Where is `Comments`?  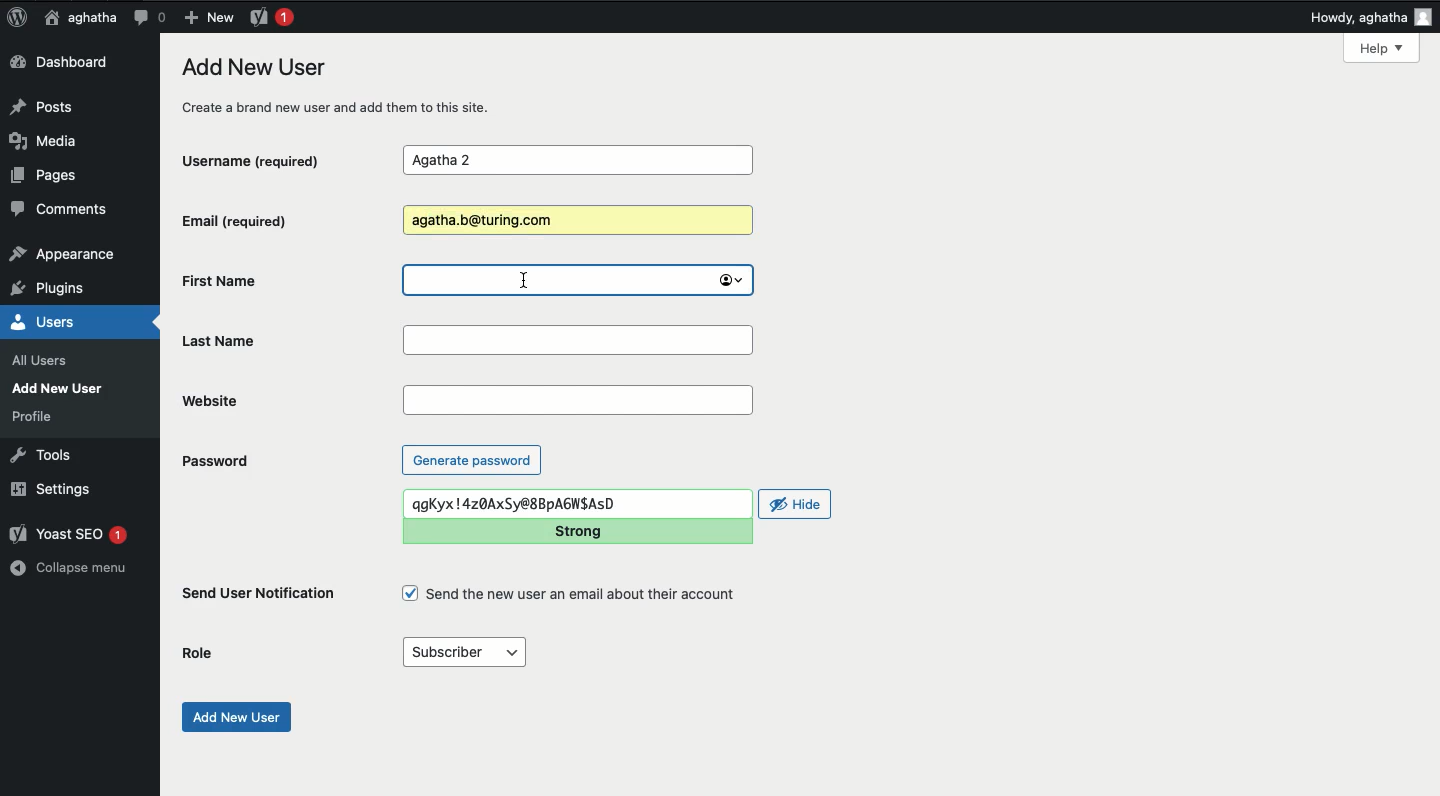 Comments is located at coordinates (61, 212).